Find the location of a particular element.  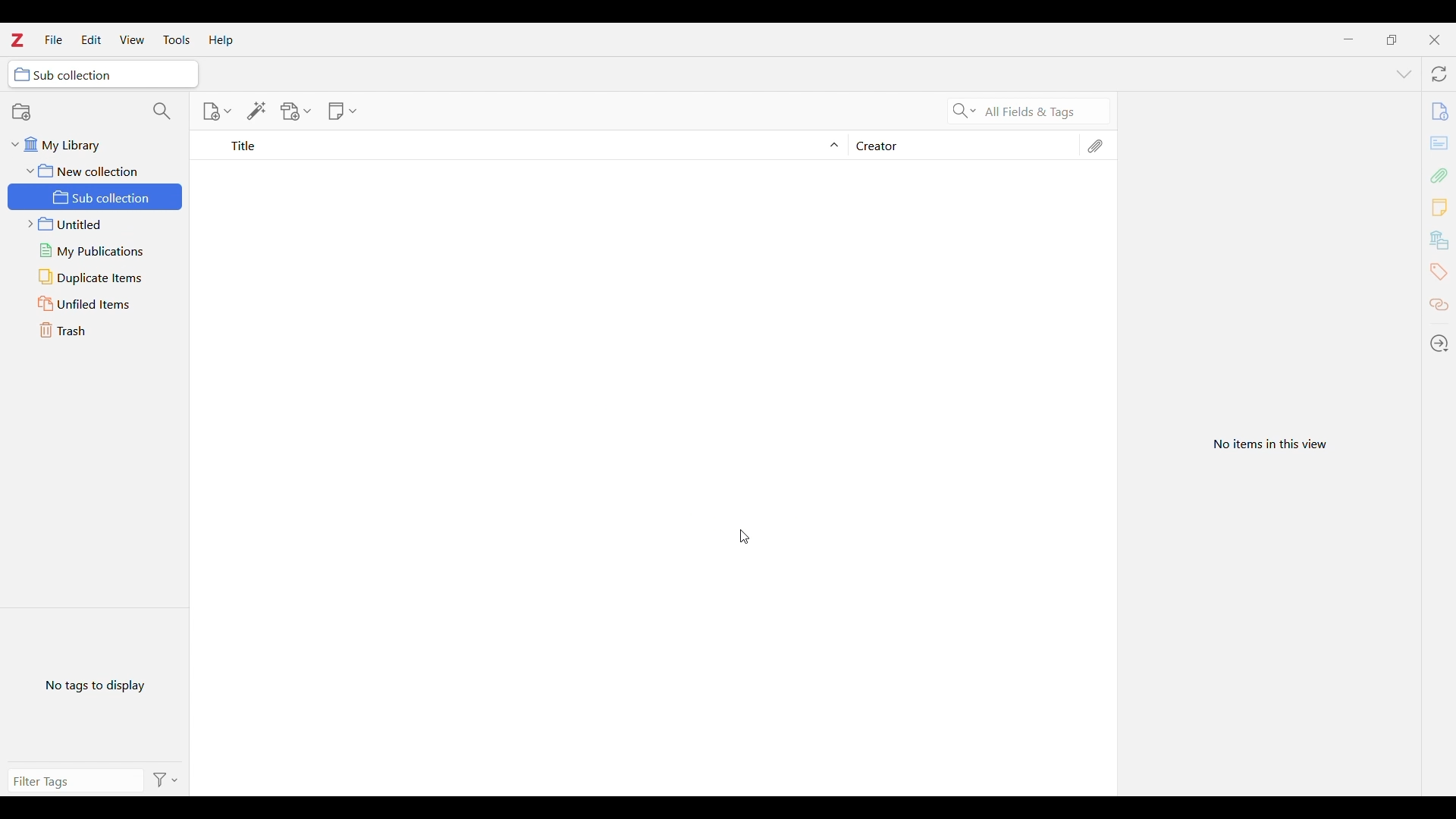

View menu is located at coordinates (133, 39).